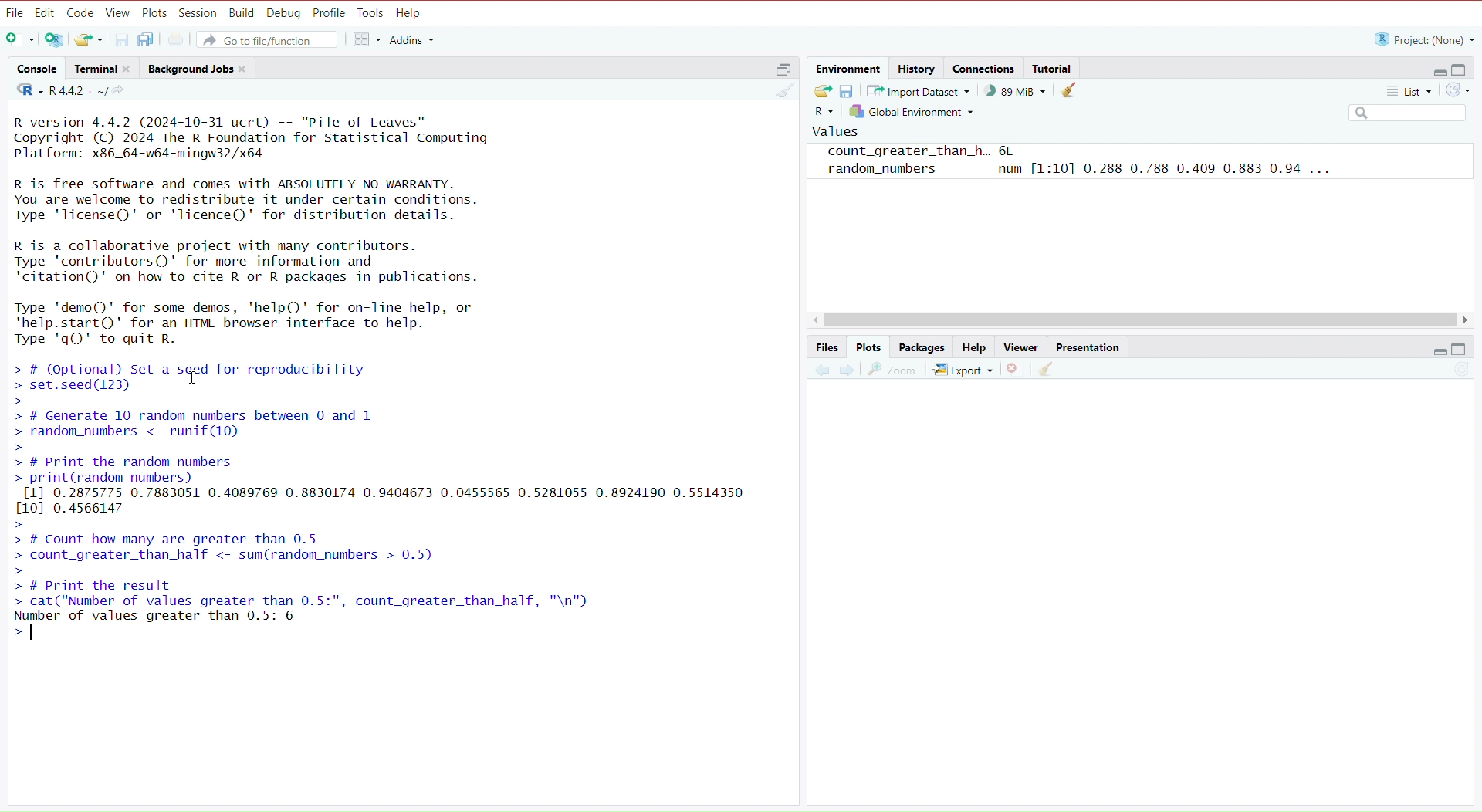 This screenshot has width=1482, height=812. I want to click on Clear, so click(783, 90).